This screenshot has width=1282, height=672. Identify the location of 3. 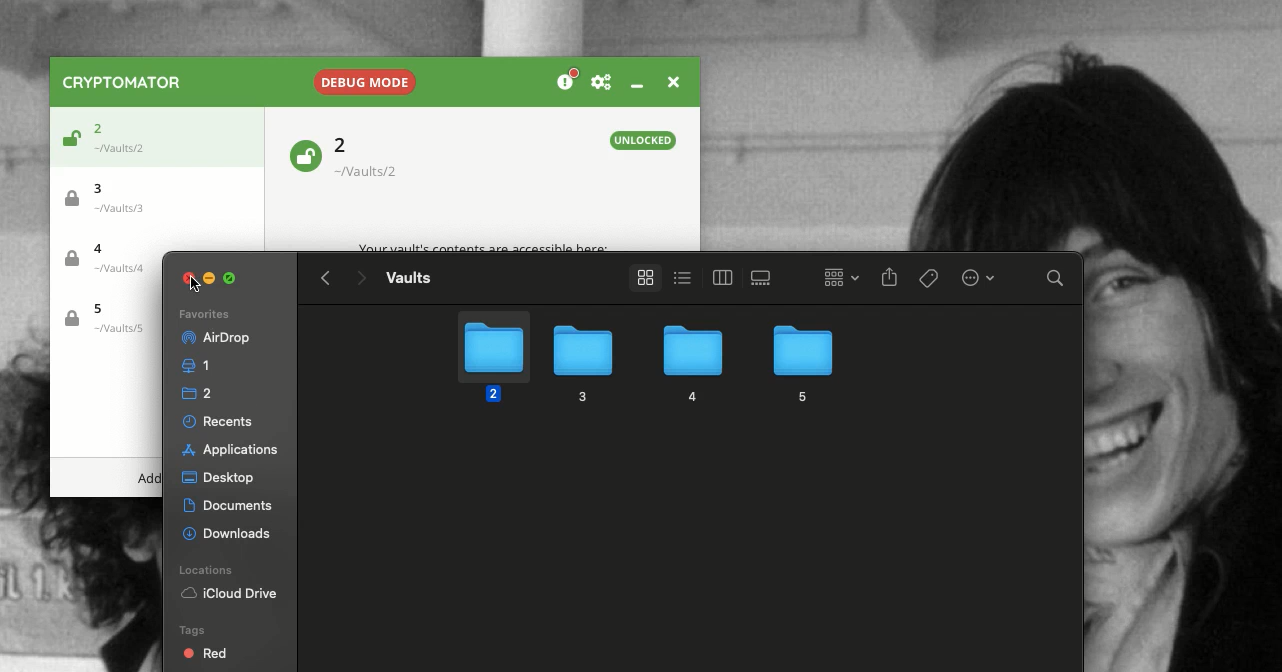
(580, 364).